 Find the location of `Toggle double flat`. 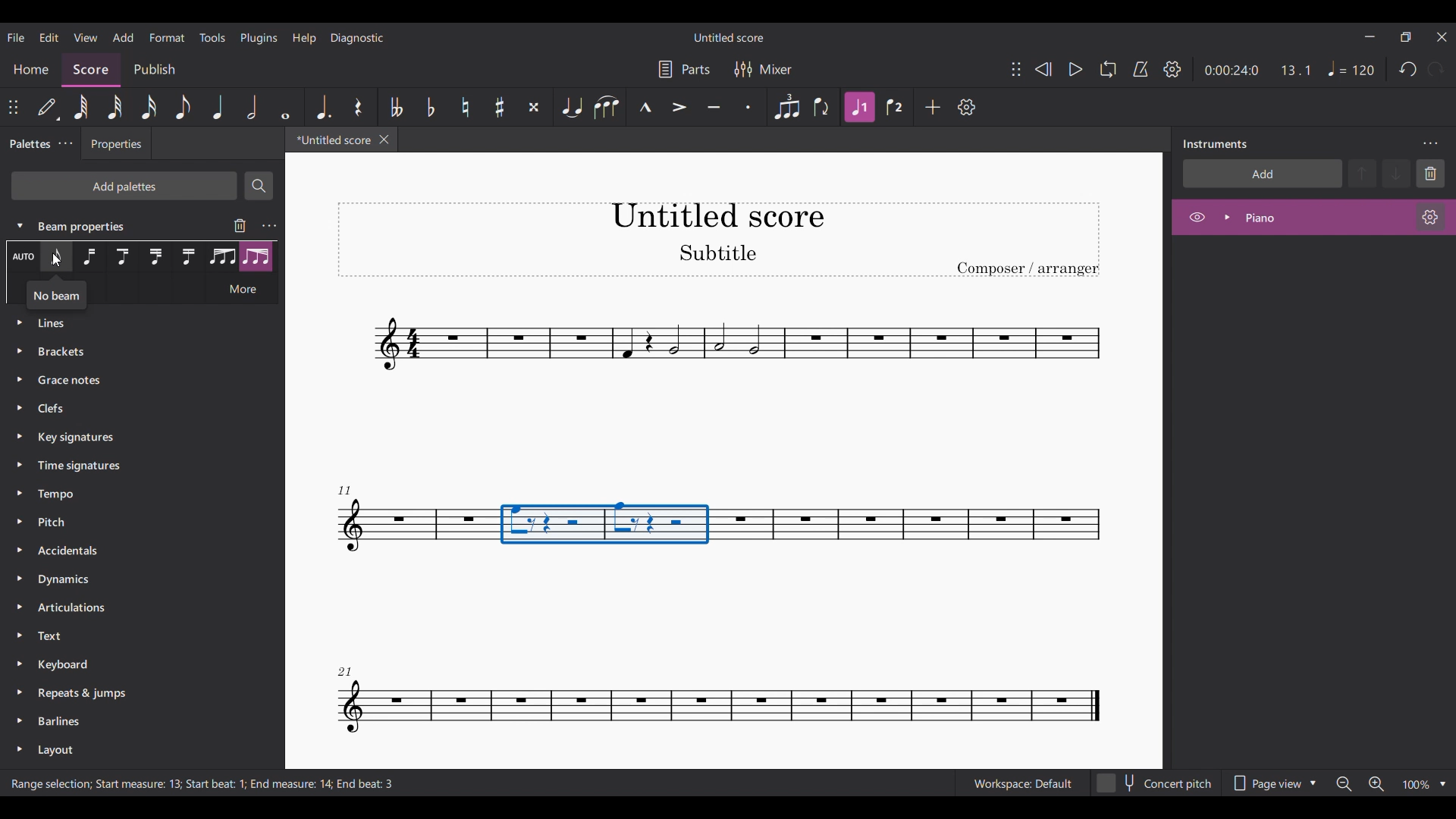

Toggle double flat is located at coordinates (396, 107).